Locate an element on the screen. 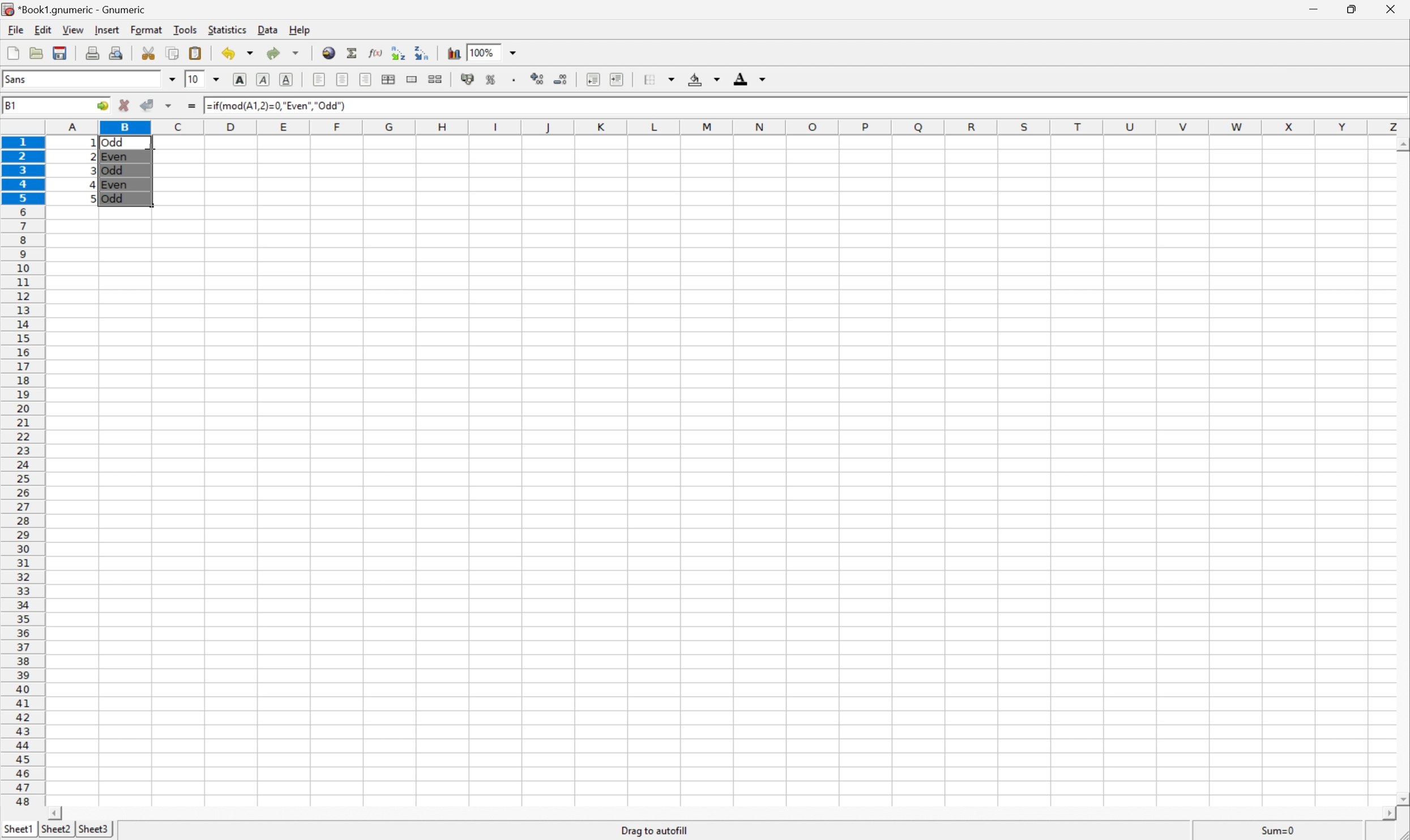 Image resolution: width=1410 pixels, height=840 pixels. Insert a hyperlink is located at coordinates (329, 53).